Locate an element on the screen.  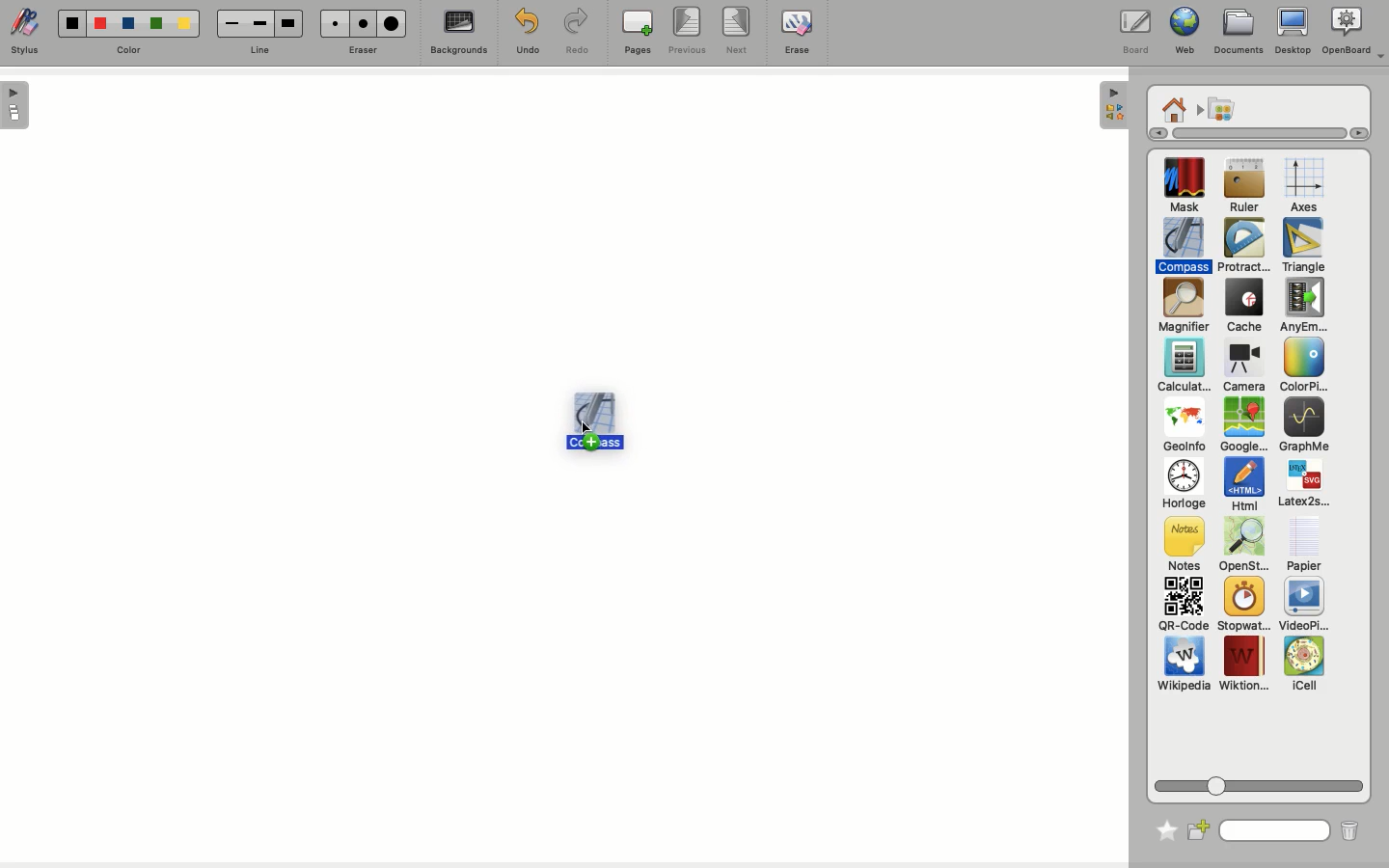
Cache is located at coordinates (1241, 308).